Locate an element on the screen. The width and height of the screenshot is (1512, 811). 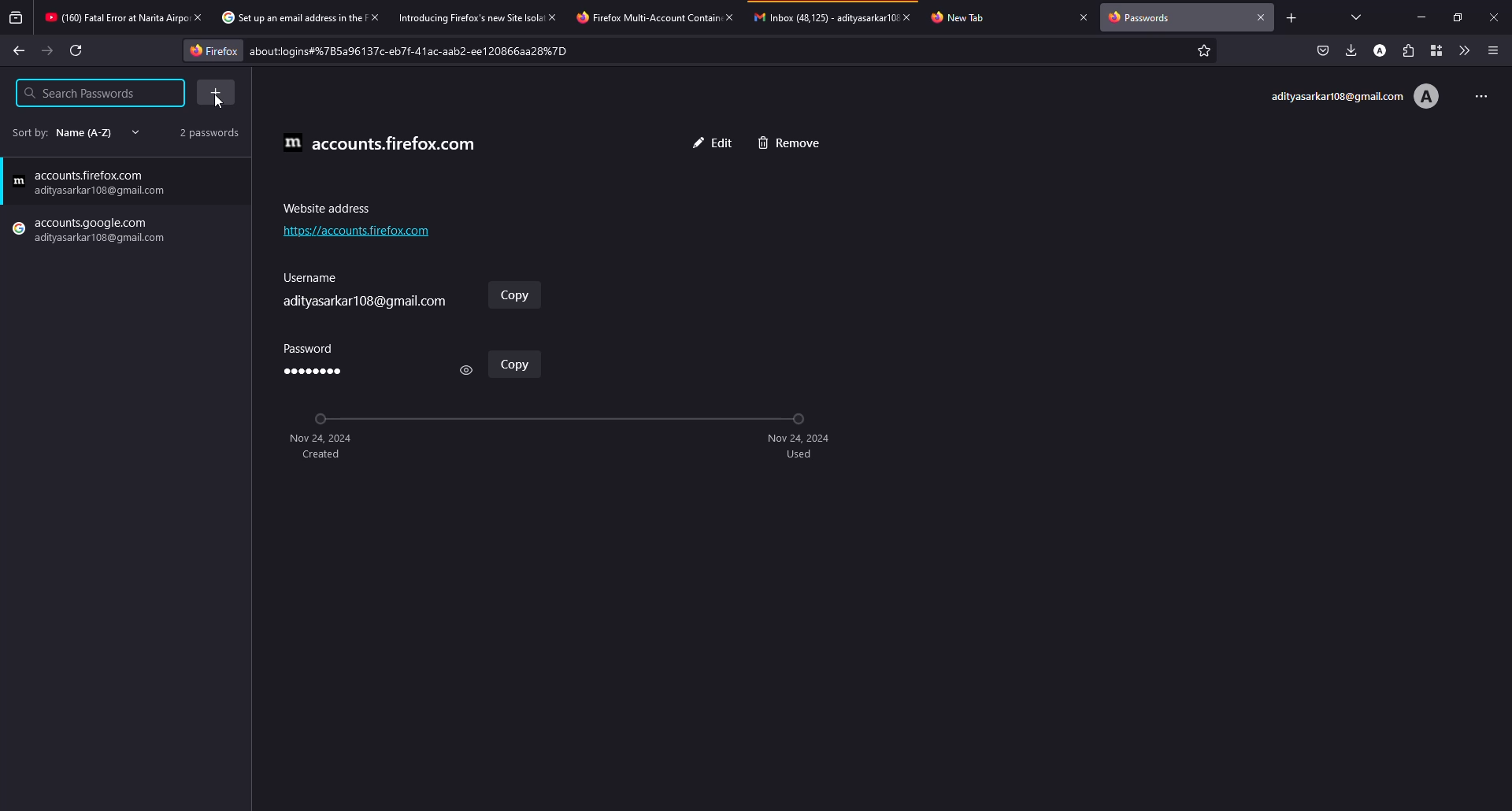
see is located at coordinates (460, 367).